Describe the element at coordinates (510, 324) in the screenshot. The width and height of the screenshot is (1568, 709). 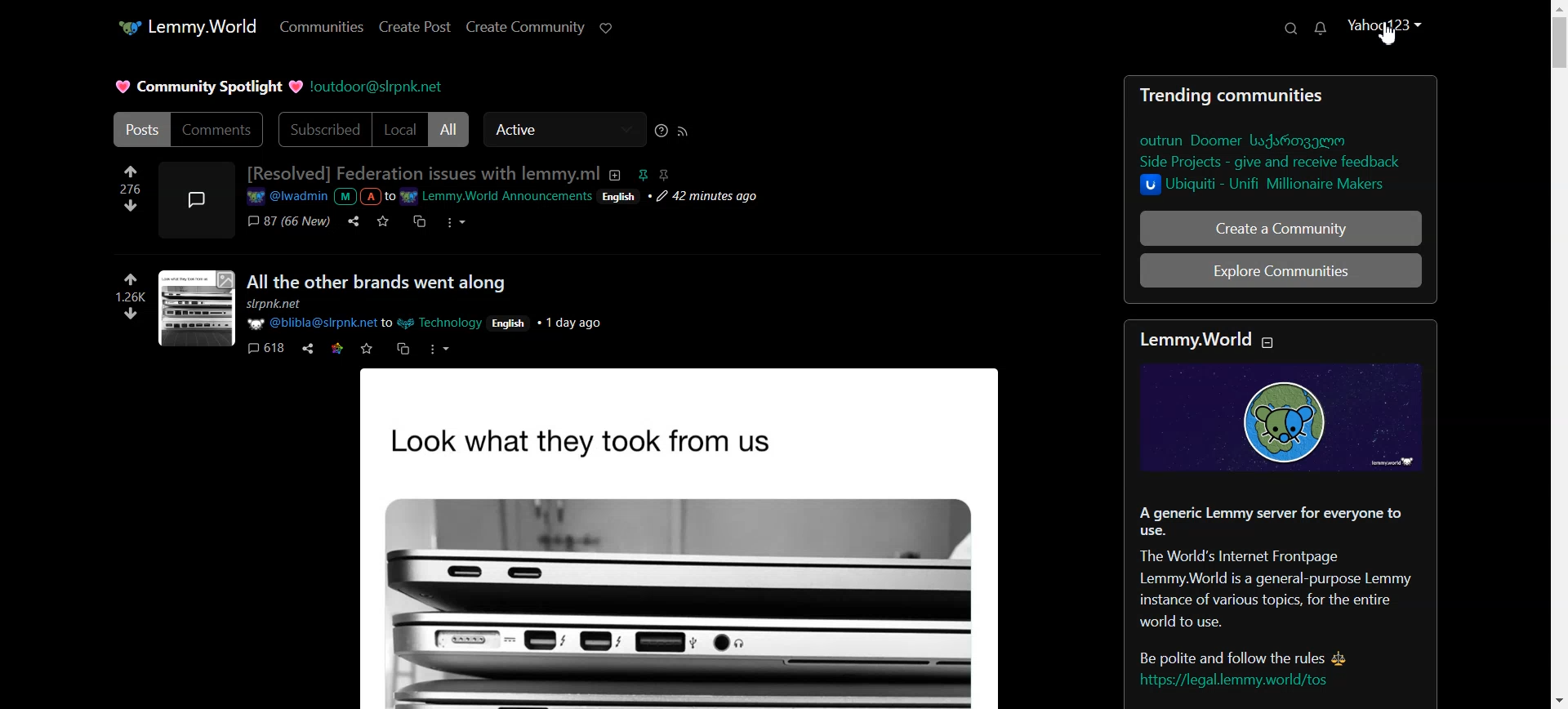
I see `` at that location.